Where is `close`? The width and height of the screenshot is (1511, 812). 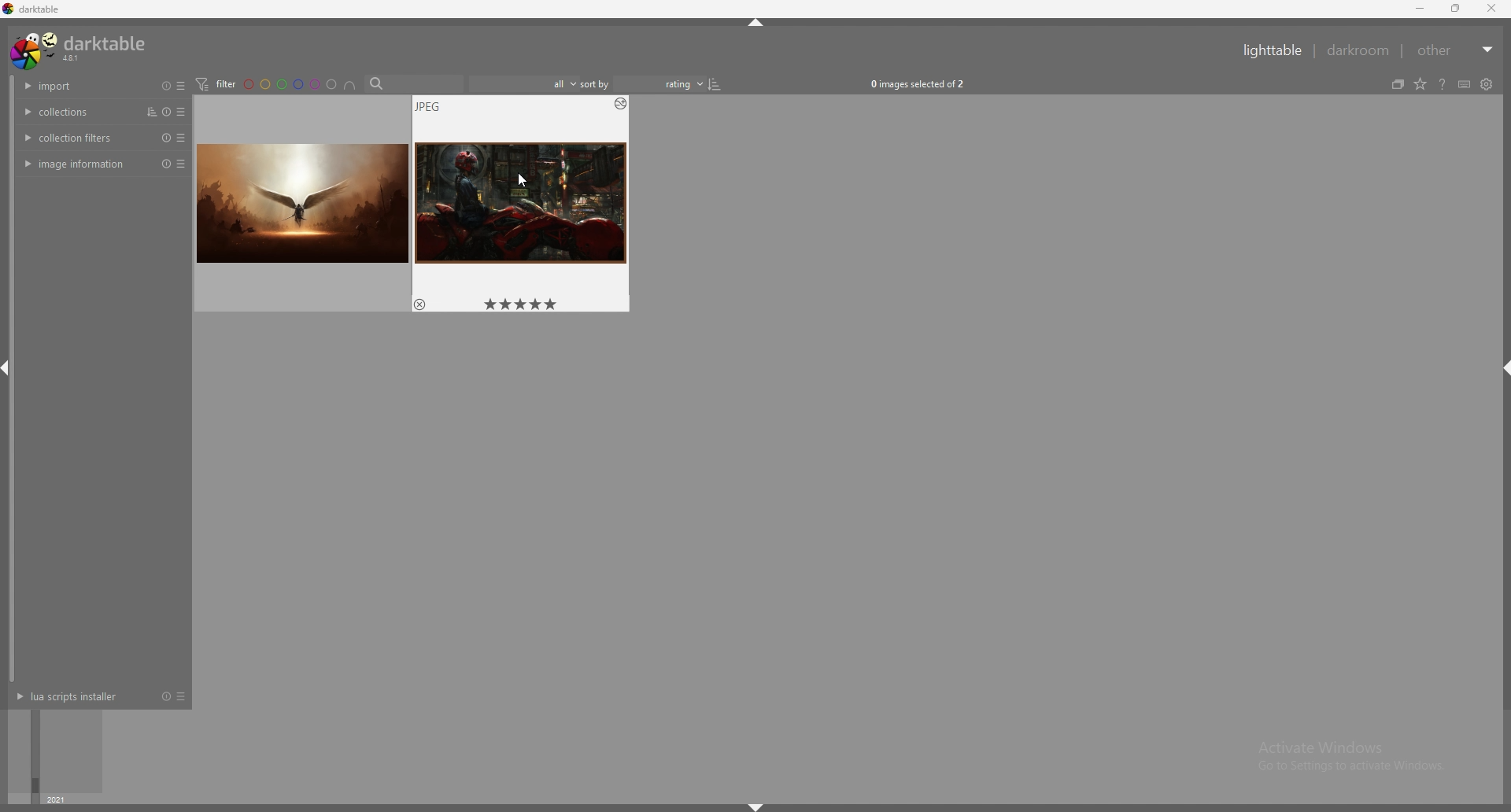 close is located at coordinates (1490, 9).